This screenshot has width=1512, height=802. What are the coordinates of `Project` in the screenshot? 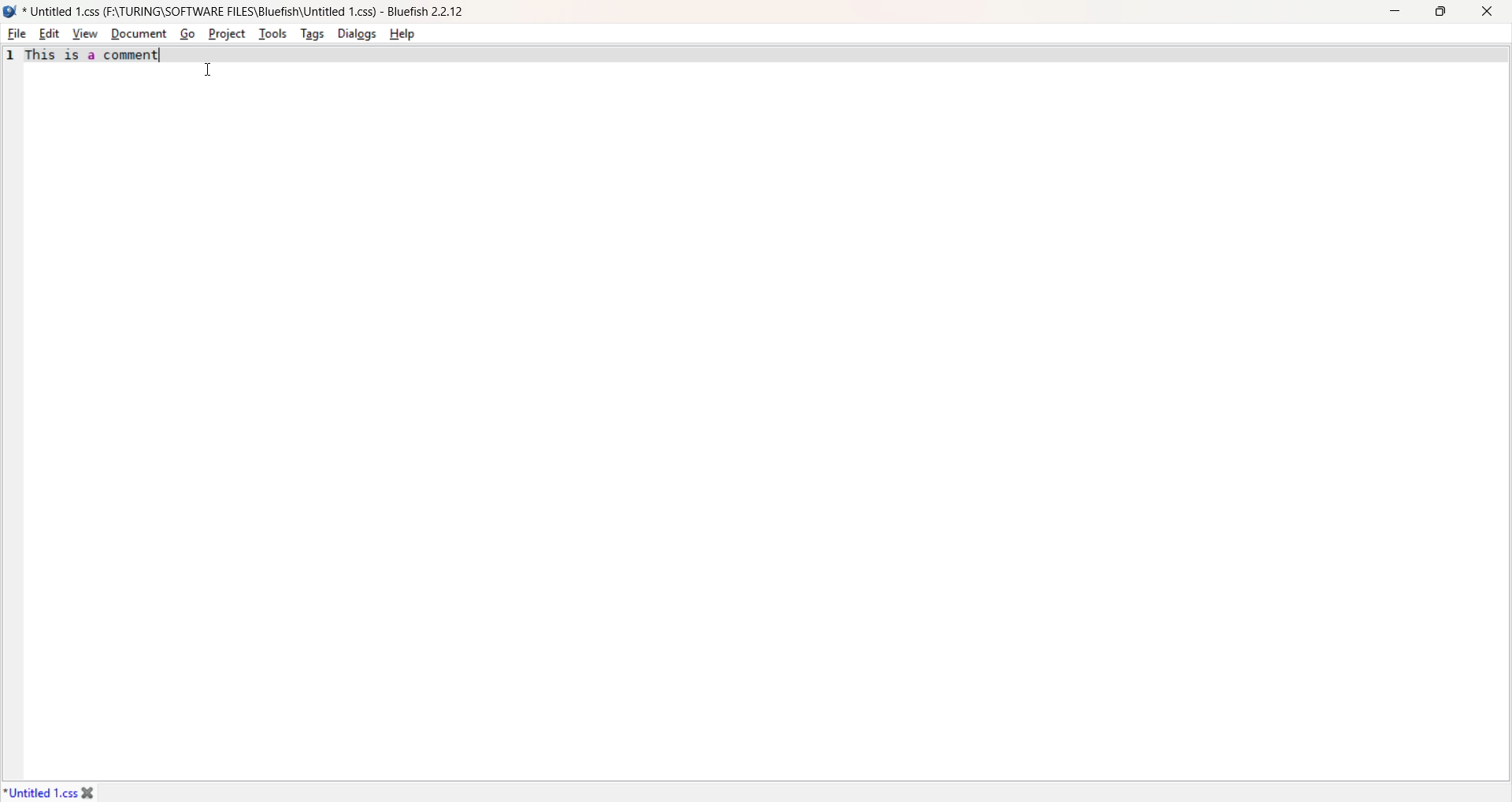 It's located at (228, 33).